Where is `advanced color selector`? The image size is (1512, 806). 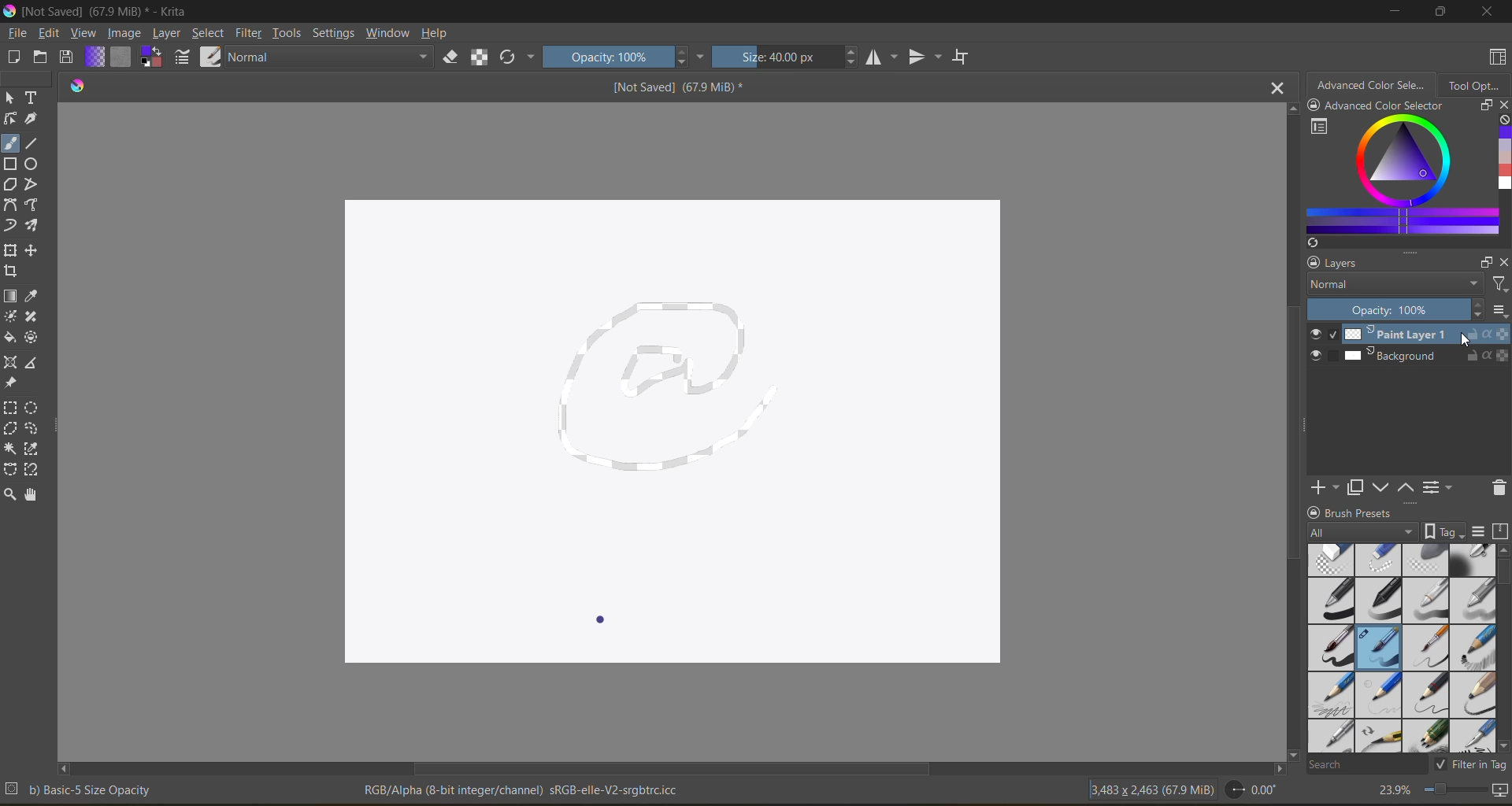 advanced color selector is located at coordinates (1398, 174).